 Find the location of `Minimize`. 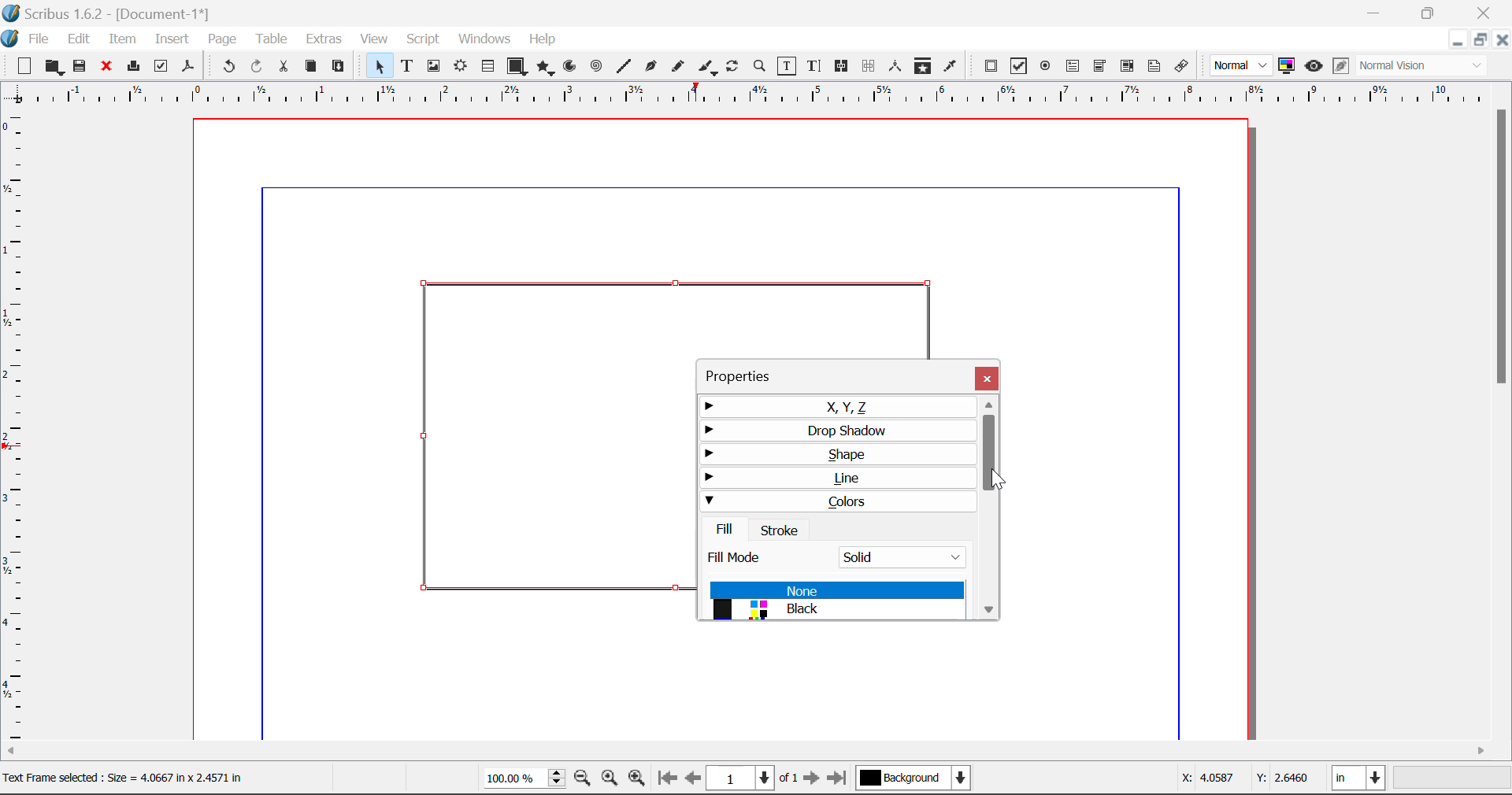

Minimize is located at coordinates (1480, 39).